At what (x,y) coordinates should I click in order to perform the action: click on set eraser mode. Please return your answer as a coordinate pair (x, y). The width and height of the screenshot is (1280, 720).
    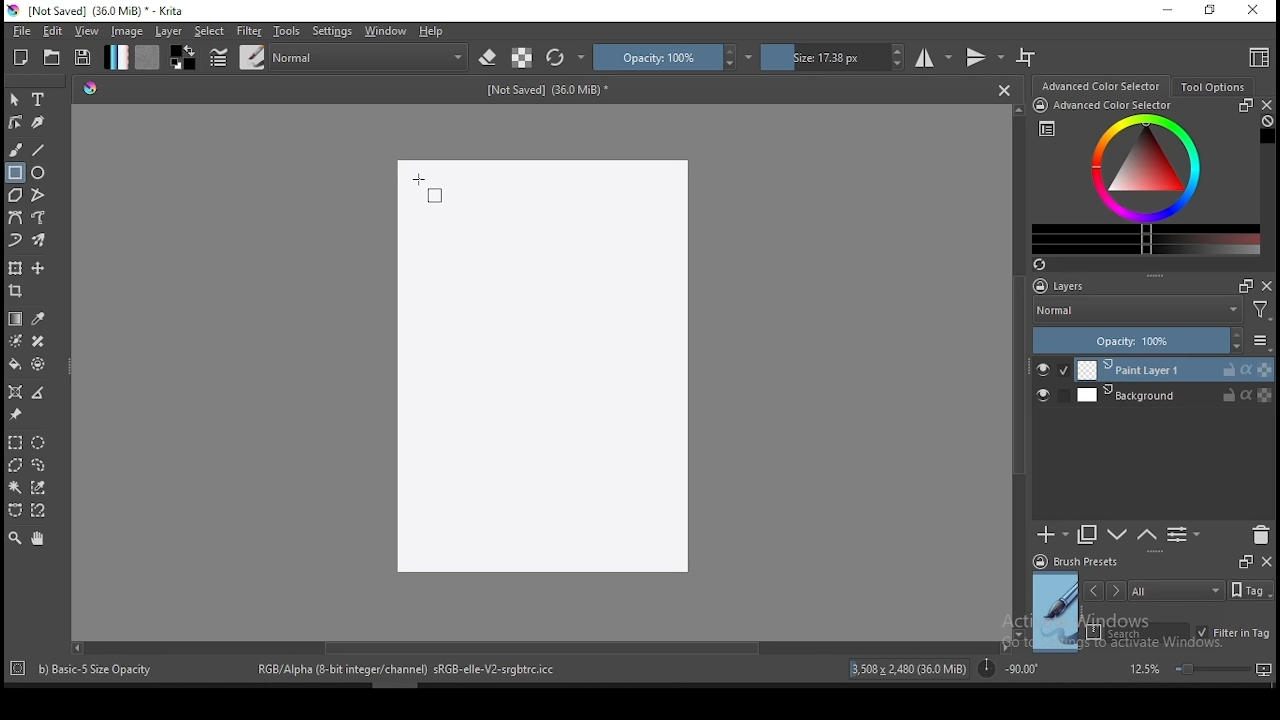
    Looking at the image, I should click on (490, 58).